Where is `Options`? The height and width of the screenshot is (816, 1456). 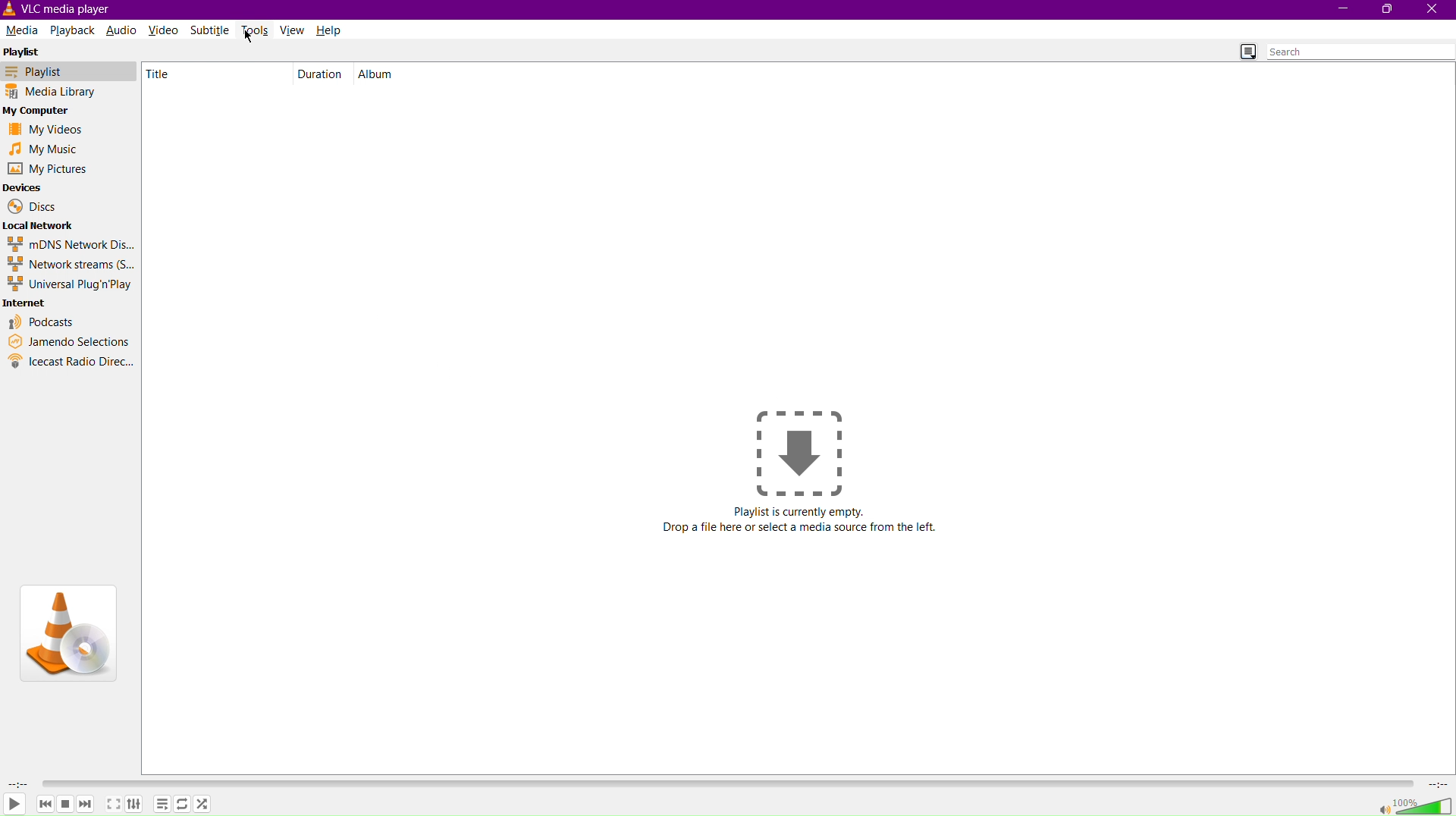 Options is located at coordinates (161, 803).